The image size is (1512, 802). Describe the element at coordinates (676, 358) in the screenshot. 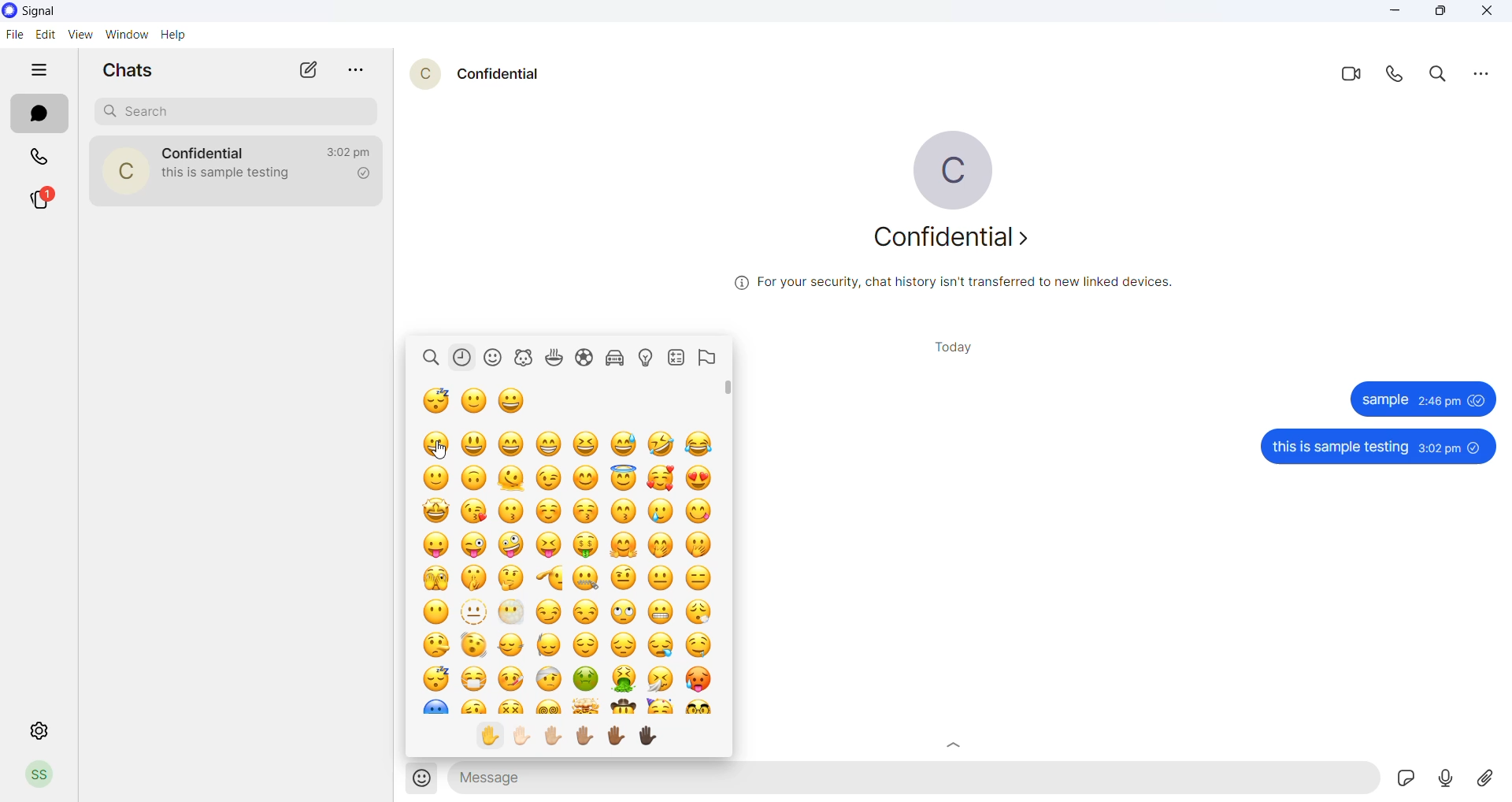

I see `symbol emojis` at that location.